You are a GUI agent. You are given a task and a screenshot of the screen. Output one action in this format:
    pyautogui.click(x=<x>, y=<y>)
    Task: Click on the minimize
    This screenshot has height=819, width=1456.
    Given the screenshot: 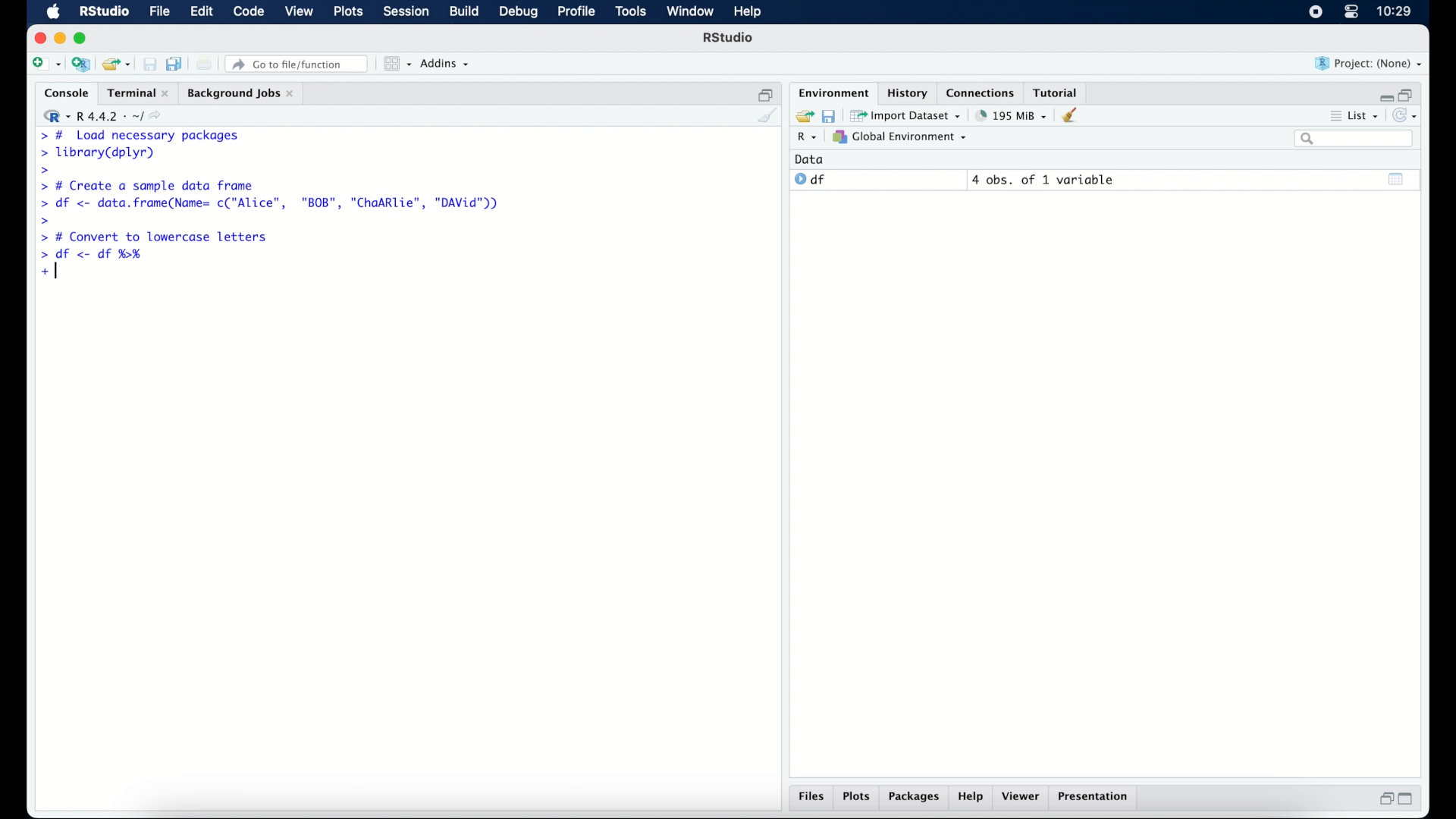 What is the action you would take?
    pyautogui.click(x=1384, y=94)
    